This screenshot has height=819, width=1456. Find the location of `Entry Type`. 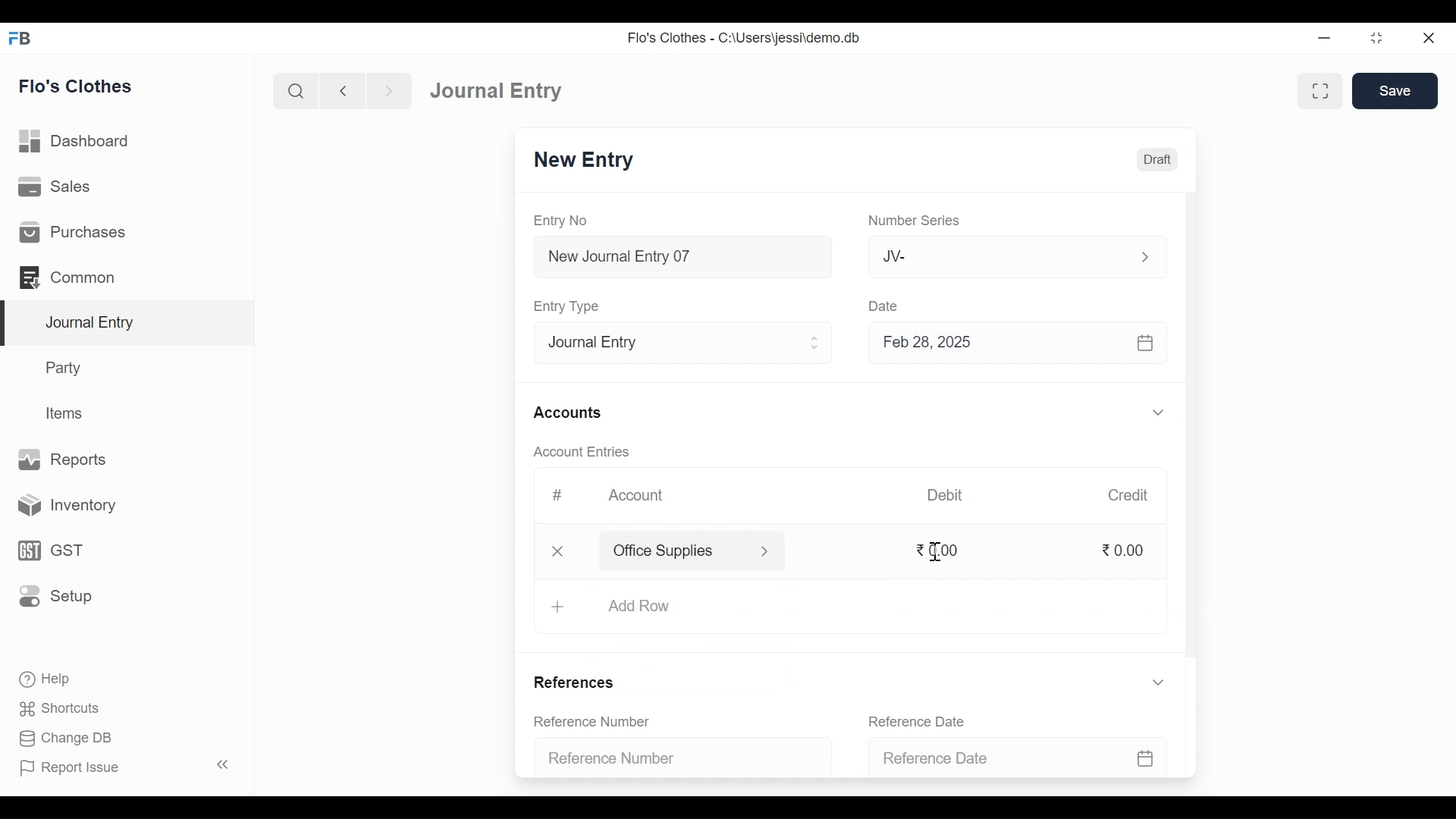

Entry Type is located at coordinates (670, 344).